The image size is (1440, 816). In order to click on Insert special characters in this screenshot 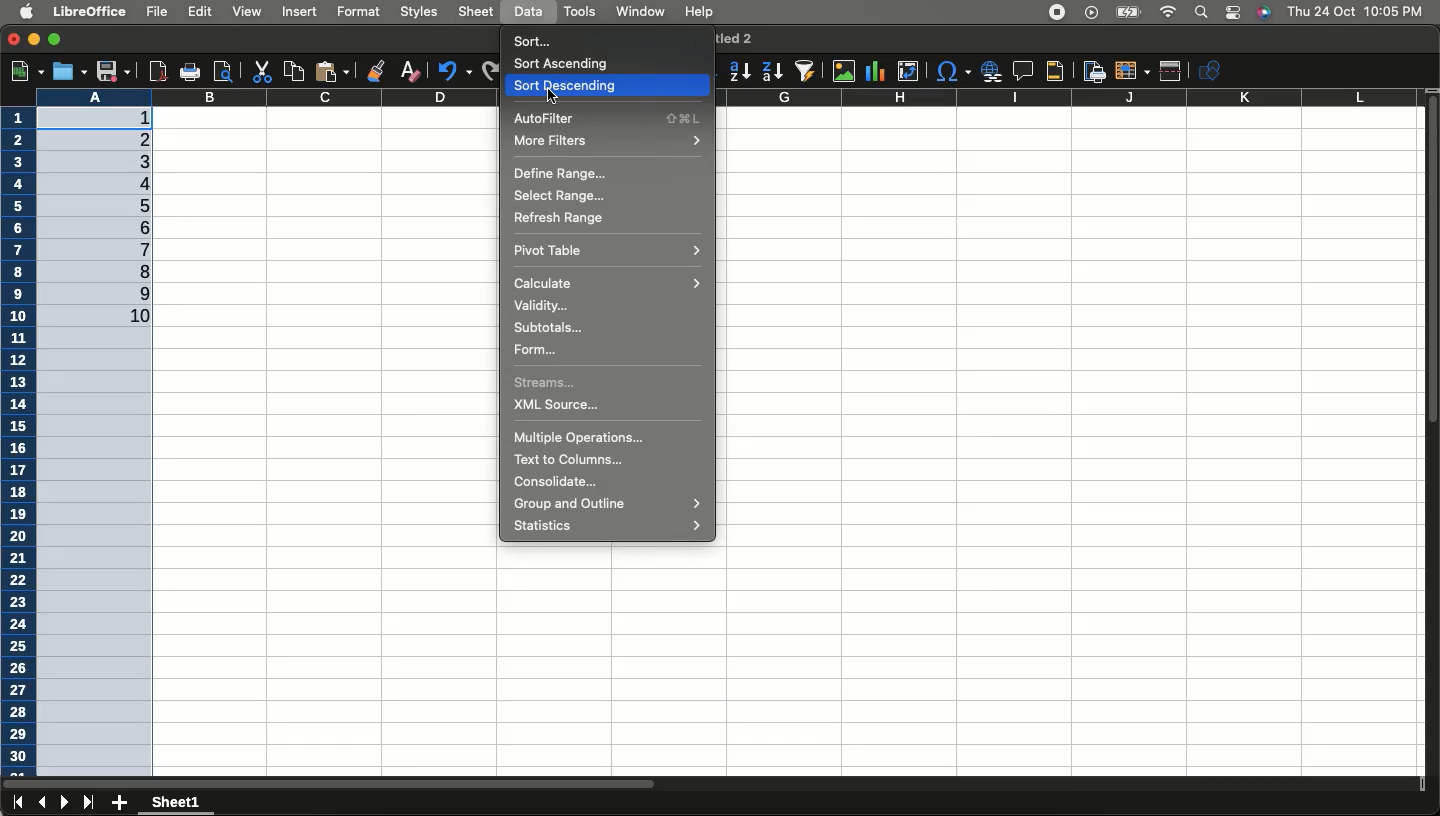, I will do `click(952, 72)`.